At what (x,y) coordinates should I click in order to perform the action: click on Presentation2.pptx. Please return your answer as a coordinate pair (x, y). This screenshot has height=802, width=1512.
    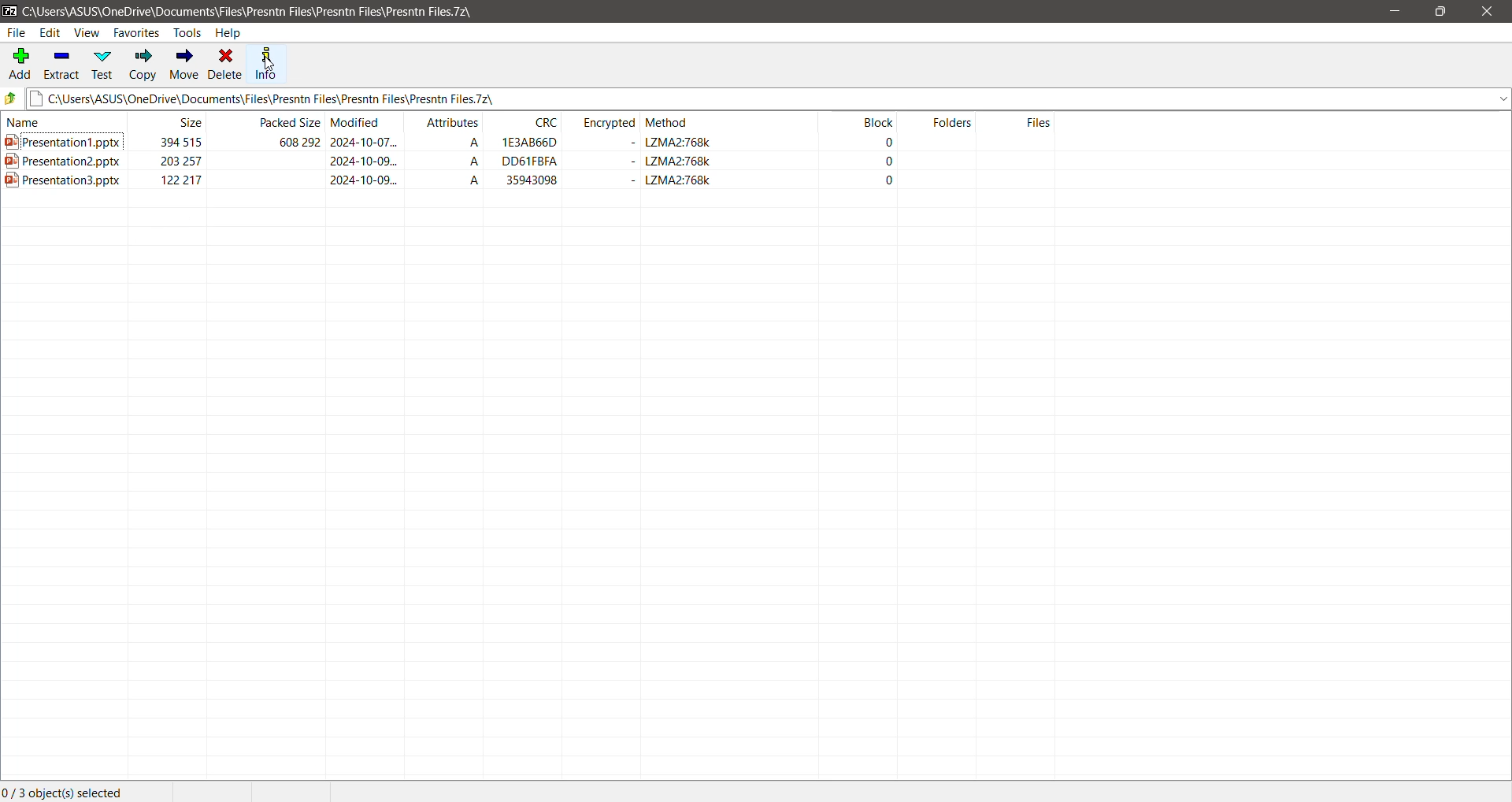
    Looking at the image, I should click on (61, 162).